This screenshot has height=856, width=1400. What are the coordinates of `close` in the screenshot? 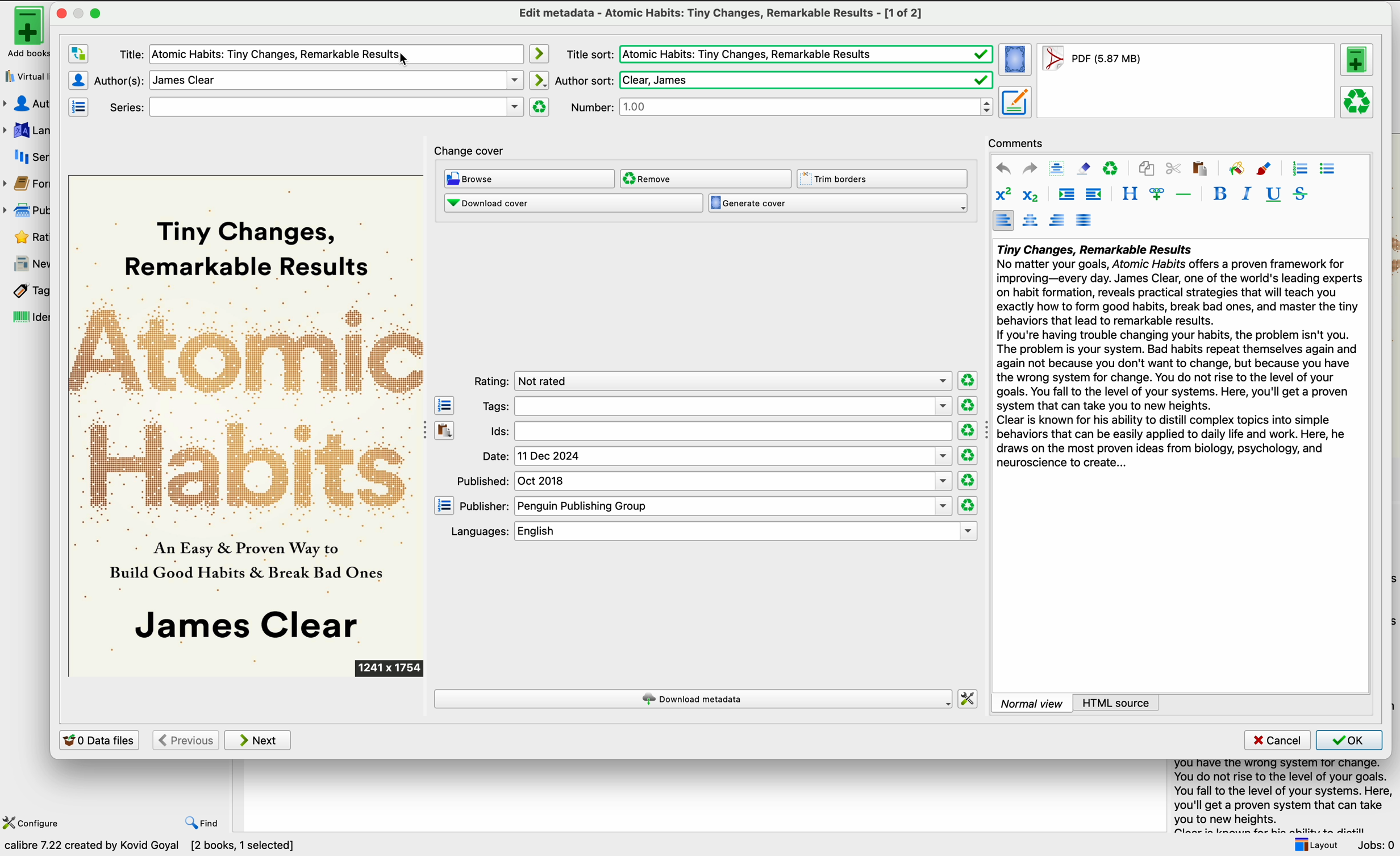 It's located at (60, 13).